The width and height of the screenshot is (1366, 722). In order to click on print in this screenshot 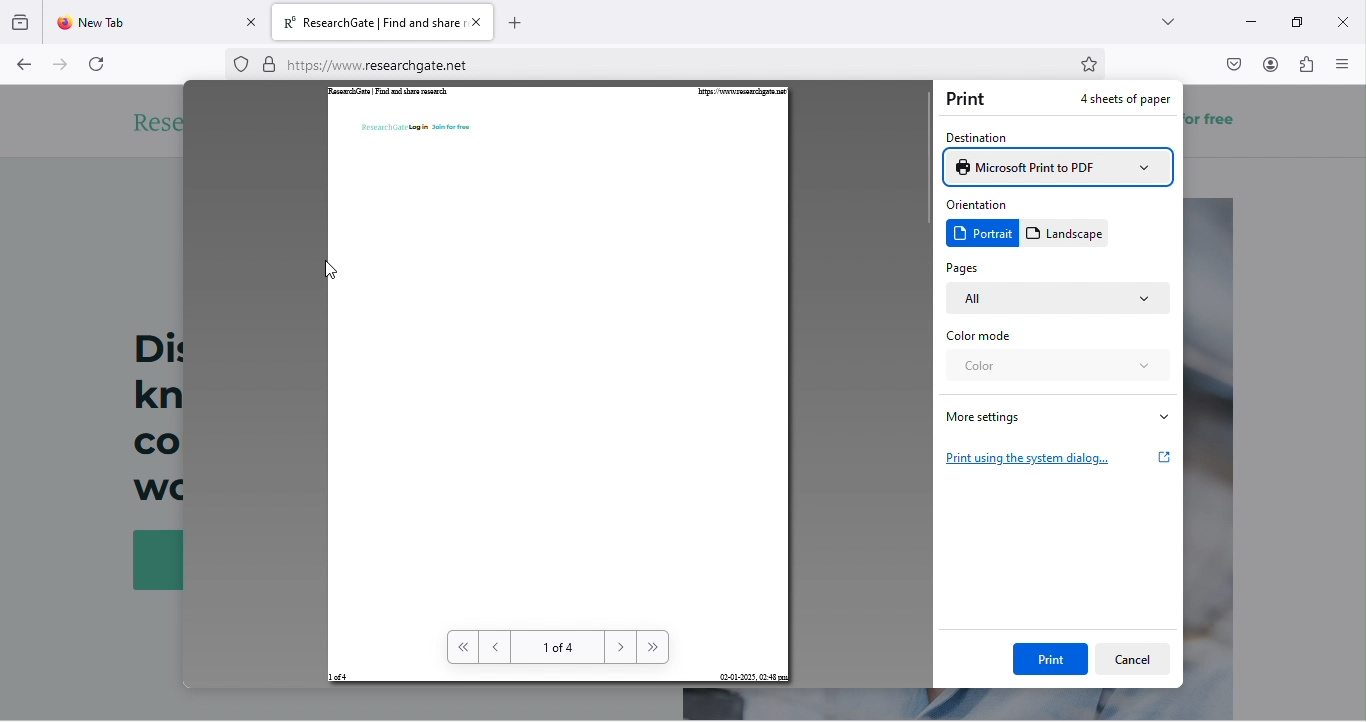, I will do `click(1050, 659)`.